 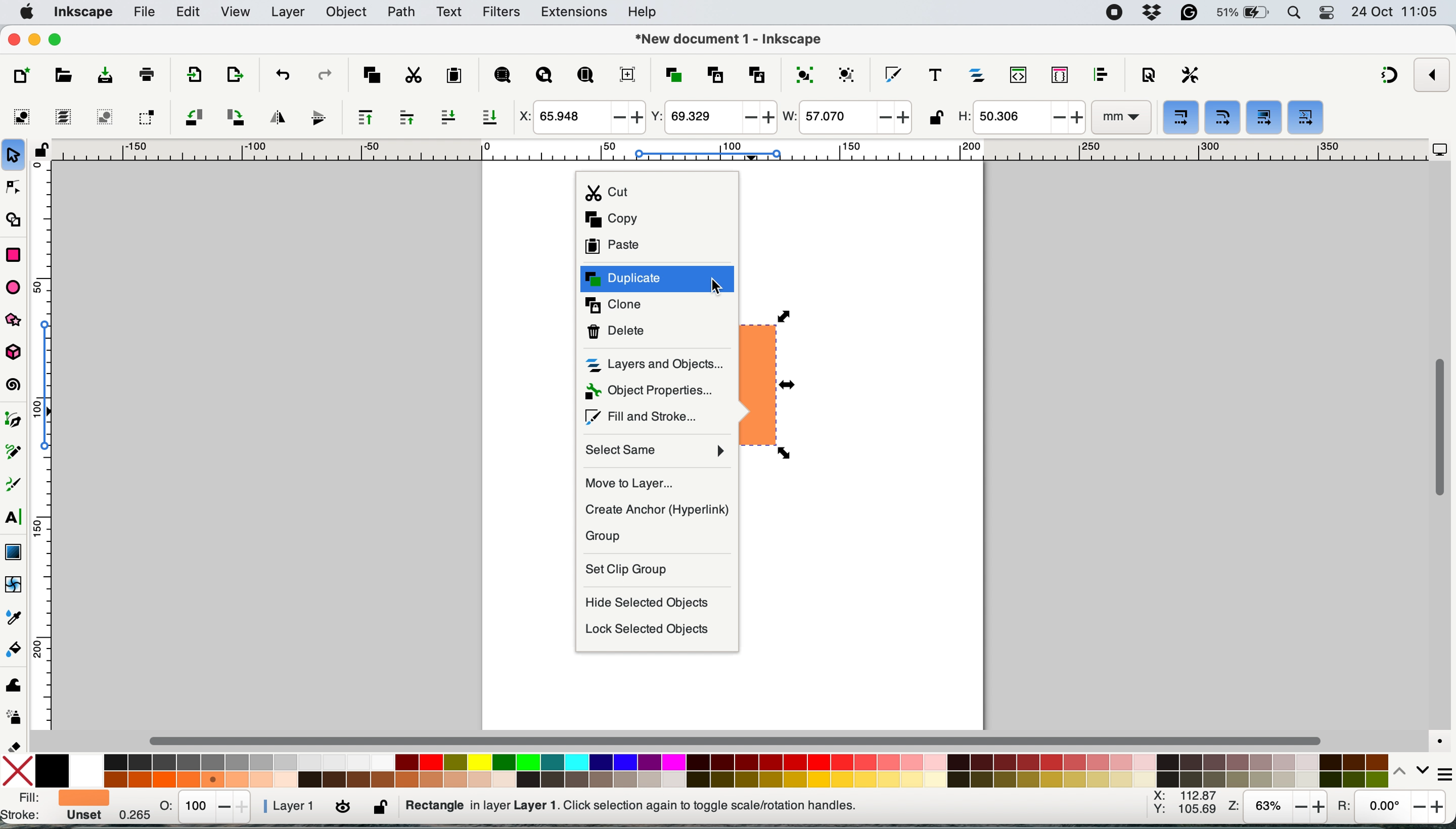 What do you see at coordinates (13, 683) in the screenshot?
I see `tweak tool` at bounding box center [13, 683].